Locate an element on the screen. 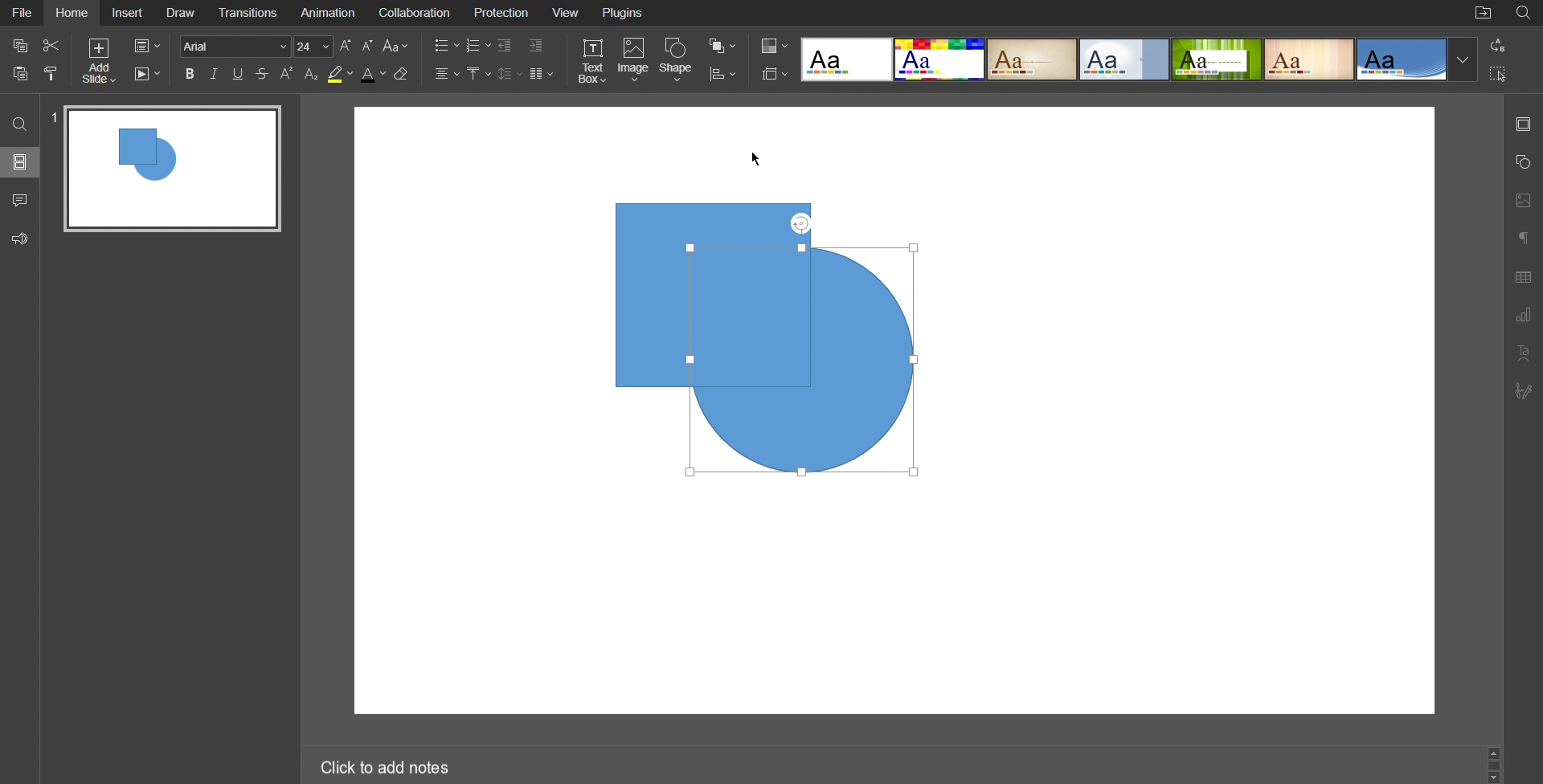 The width and height of the screenshot is (1543, 784). 24 is located at coordinates (313, 47).